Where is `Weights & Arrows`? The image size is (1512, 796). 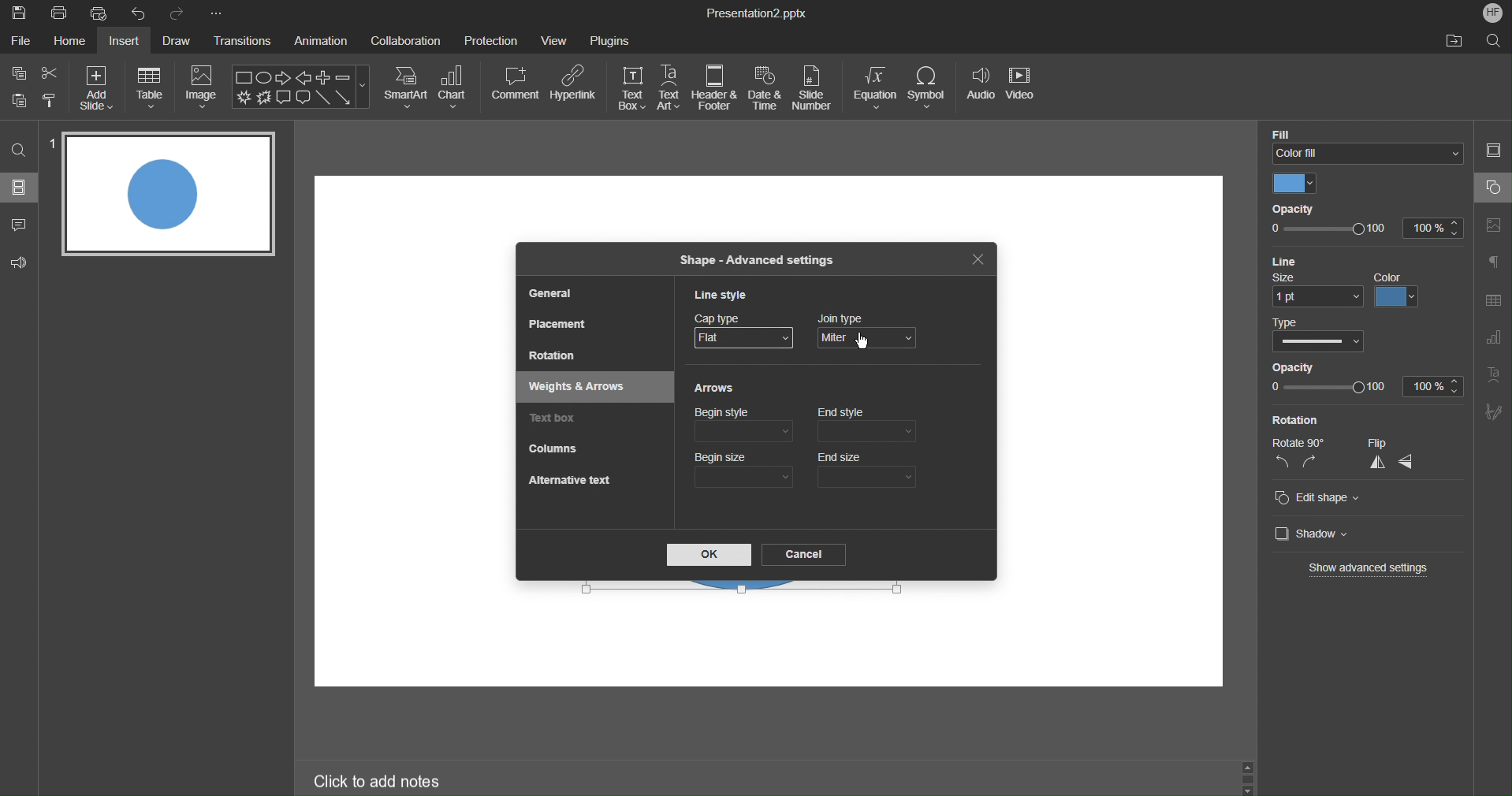 Weights & Arrows is located at coordinates (585, 388).